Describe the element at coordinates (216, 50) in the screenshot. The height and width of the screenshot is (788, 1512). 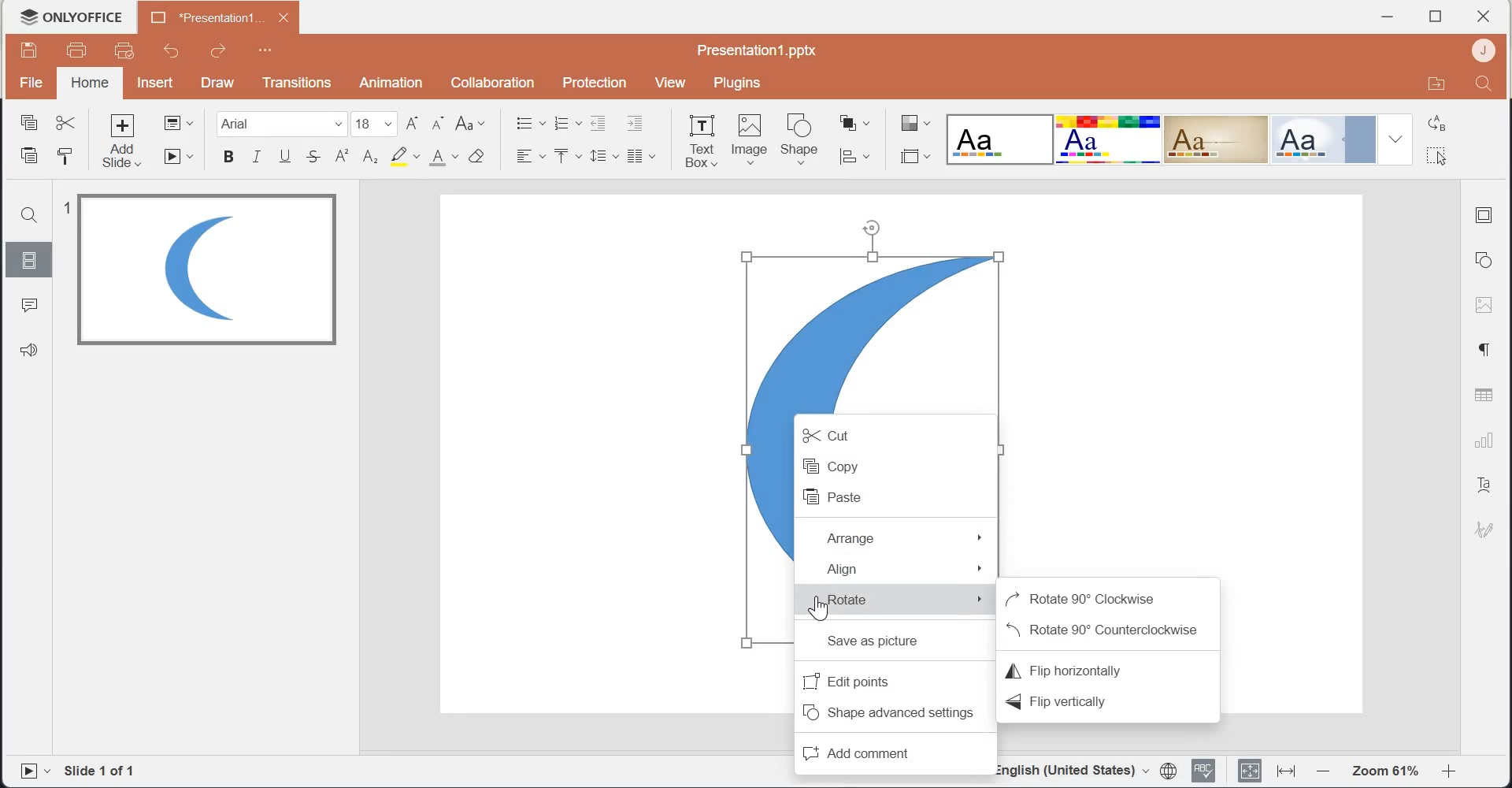
I see `Redo` at that location.